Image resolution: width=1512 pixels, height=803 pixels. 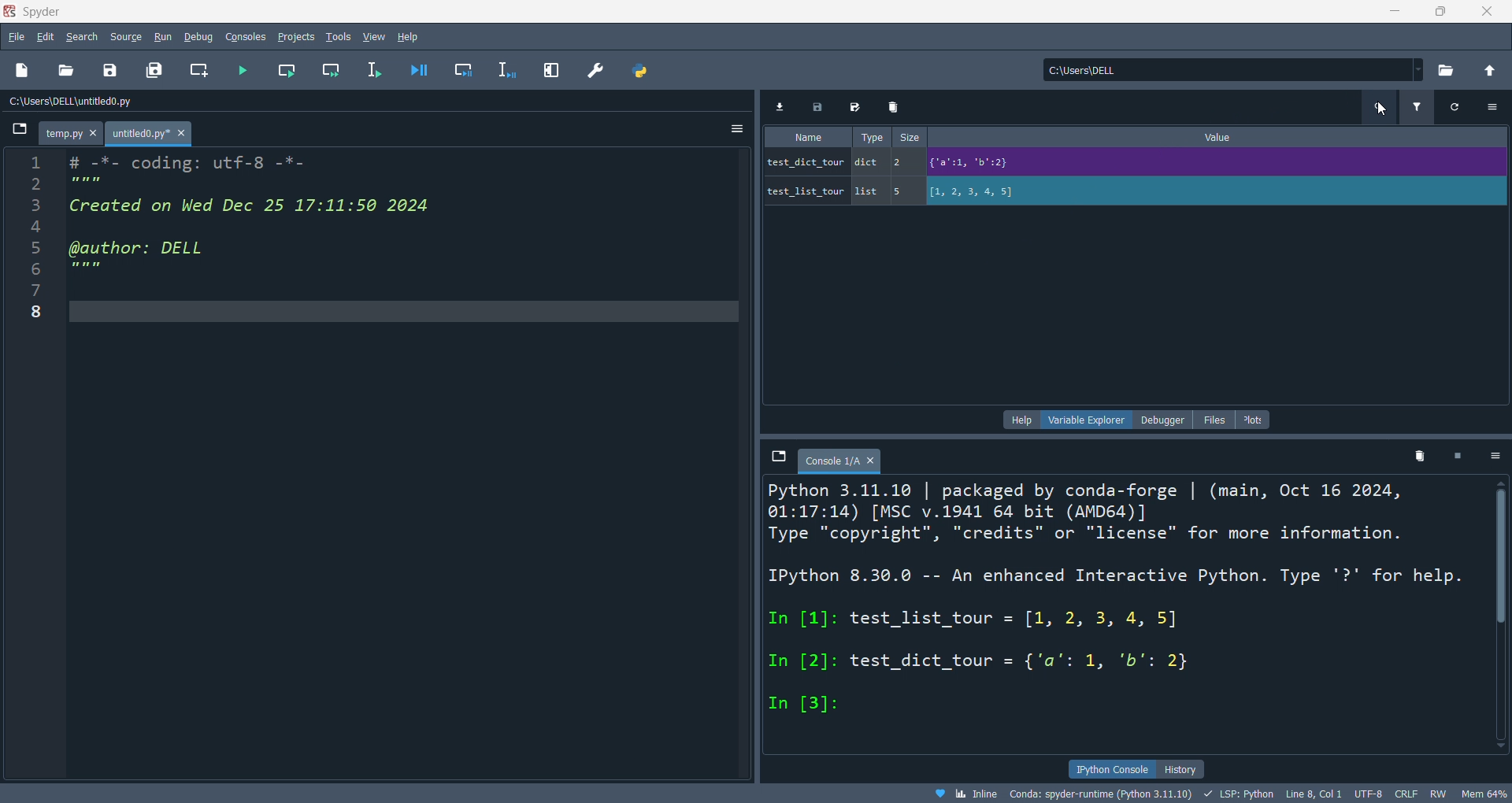 I want to click on current directory, so click(x=1225, y=71).